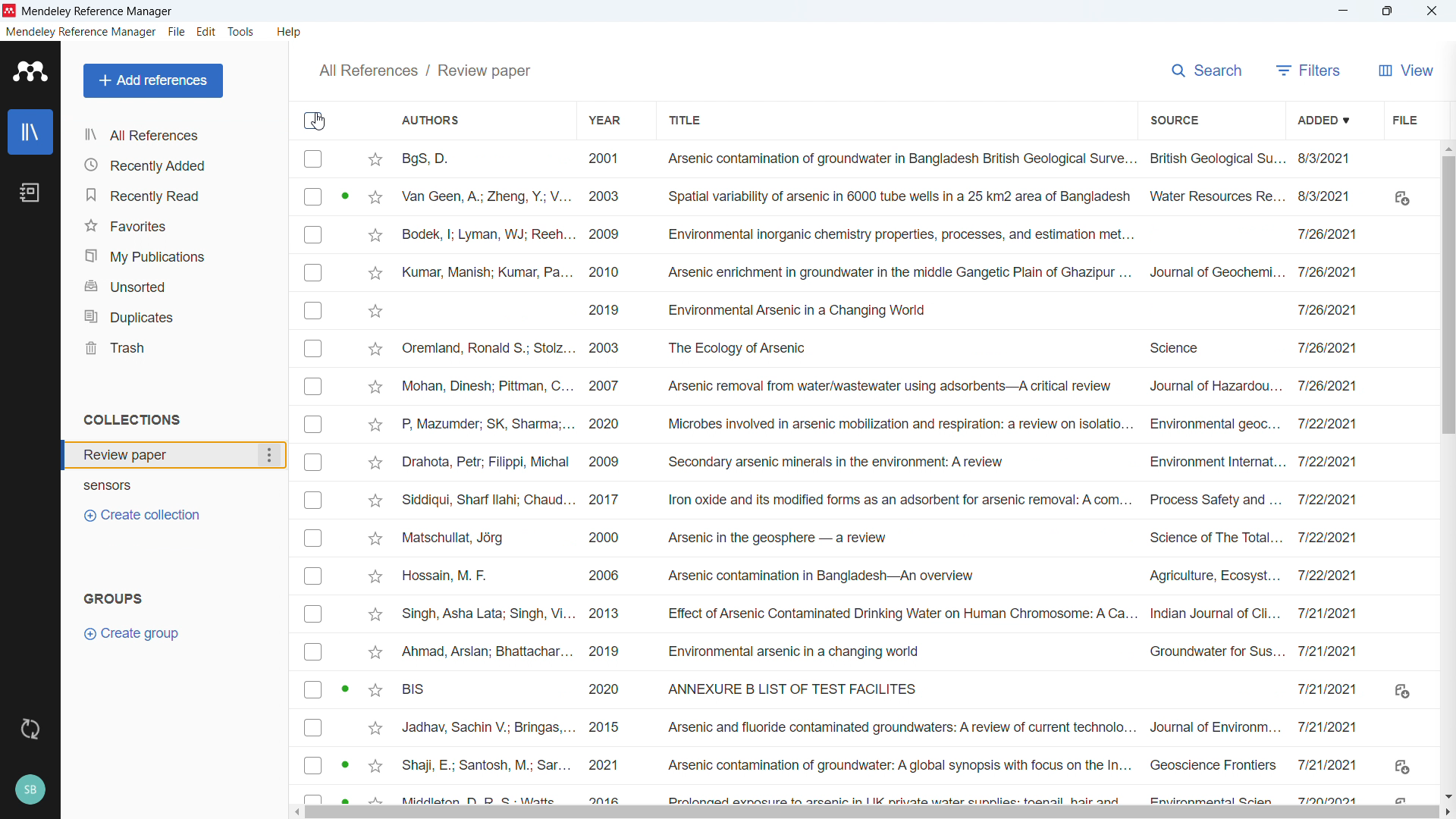 The image size is (1456, 819). Describe the element at coordinates (883, 349) in the screenshot. I see `Katuri, Krishna P.; Werner, ... 2014 A novel anaerobic electrochemical membrane bioreactor (AnEMBR) with con... Environmental Scien... 10/28/2024` at that location.